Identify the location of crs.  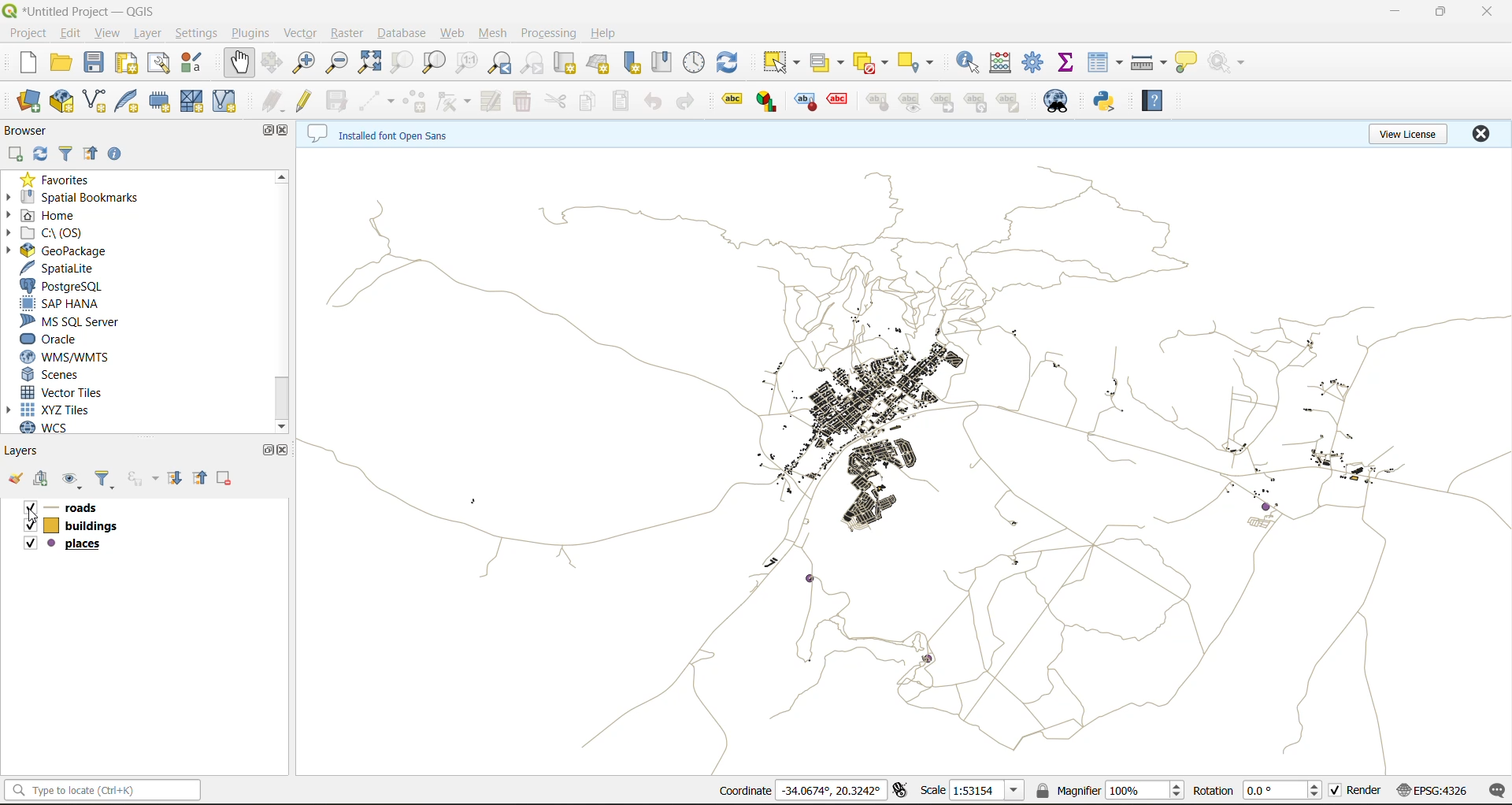
(1435, 790).